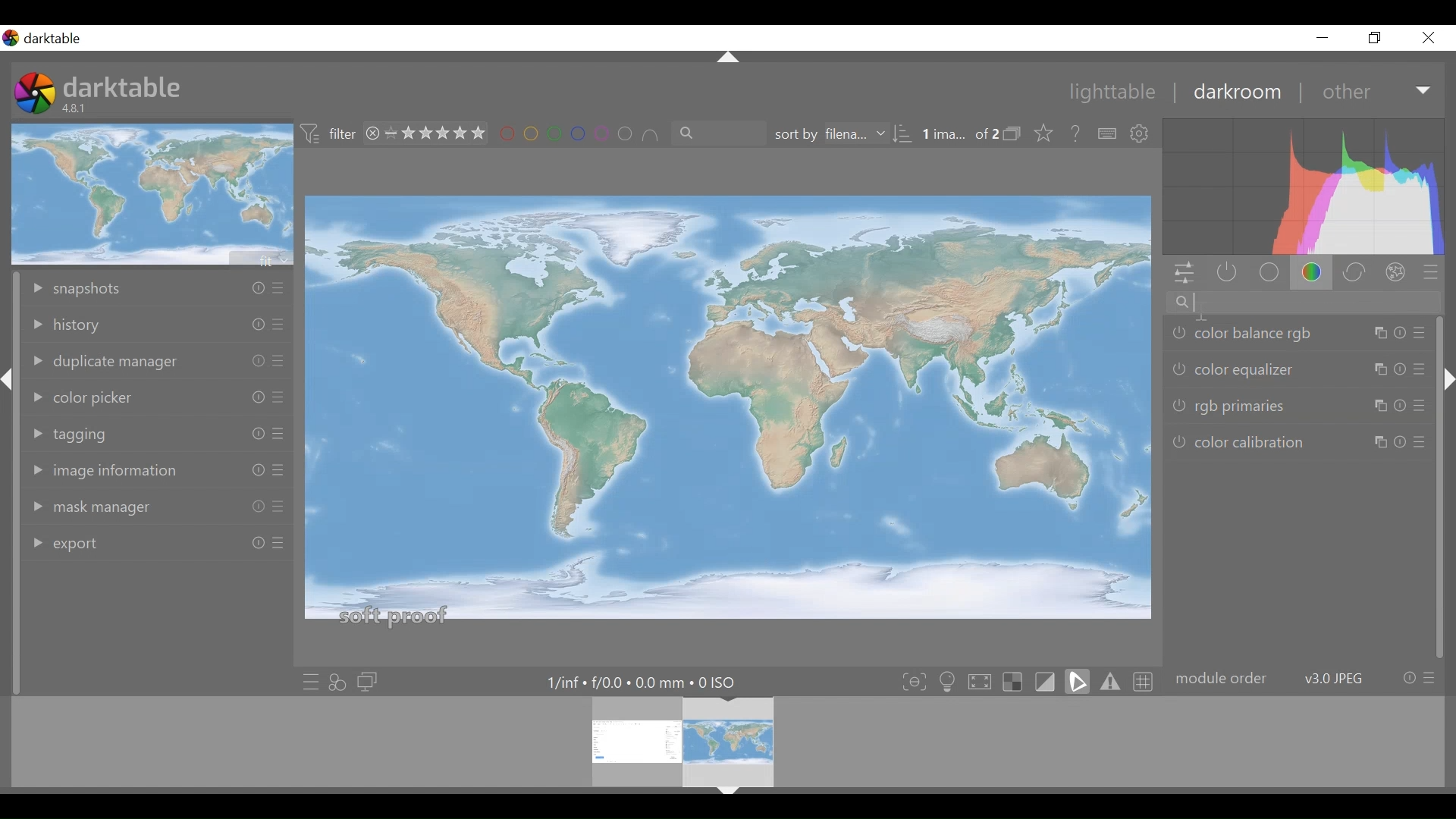 This screenshot has height=819, width=1456. What do you see at coordinates (428, 134) in the screenshot?
I see `range rating` at bounding box center [428, 134].